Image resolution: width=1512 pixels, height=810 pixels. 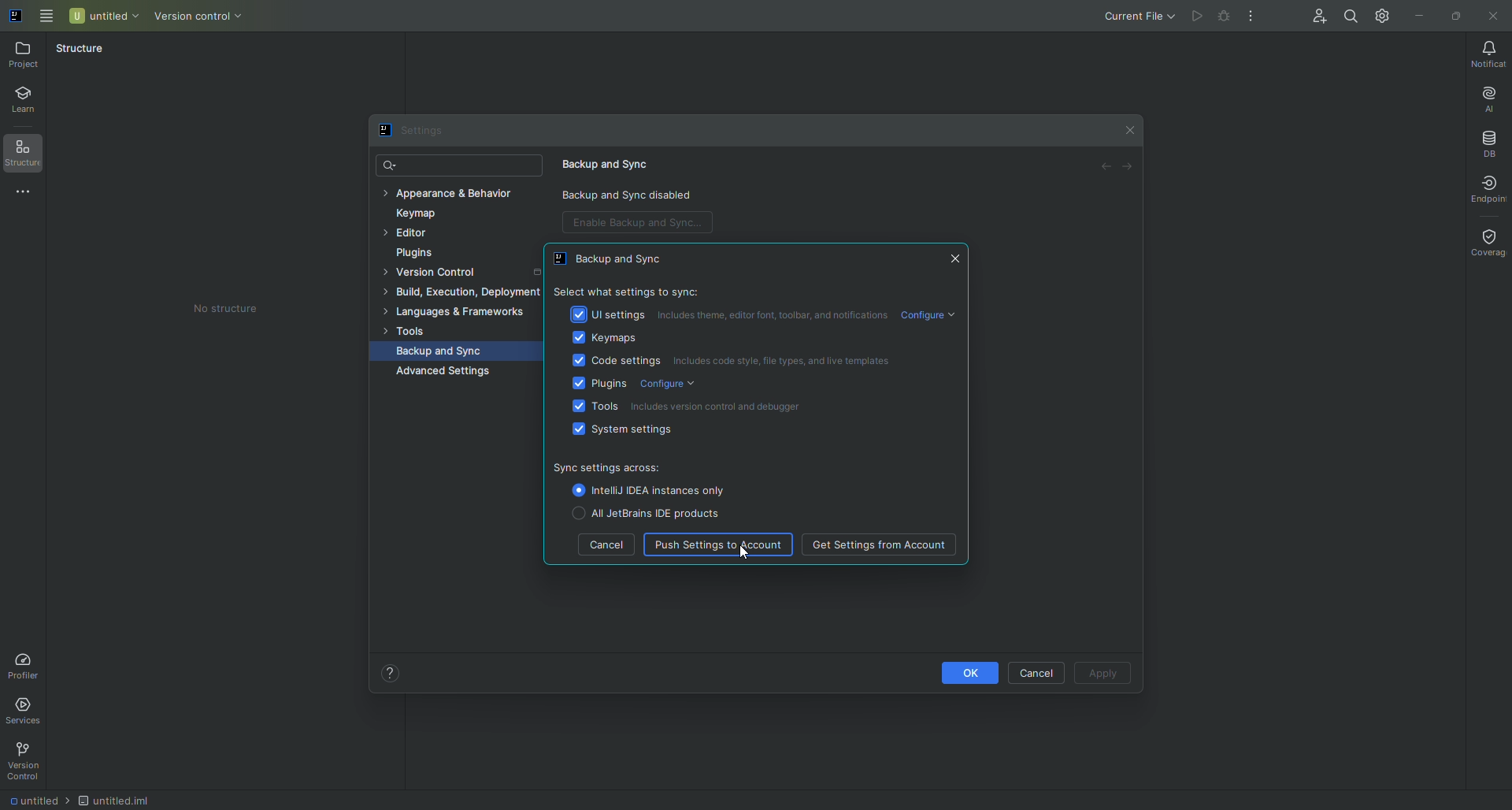 What do you see at coordinates (1483, 54) in the screenshot?
I see `Notifications` at bounding box center [1483, 54].